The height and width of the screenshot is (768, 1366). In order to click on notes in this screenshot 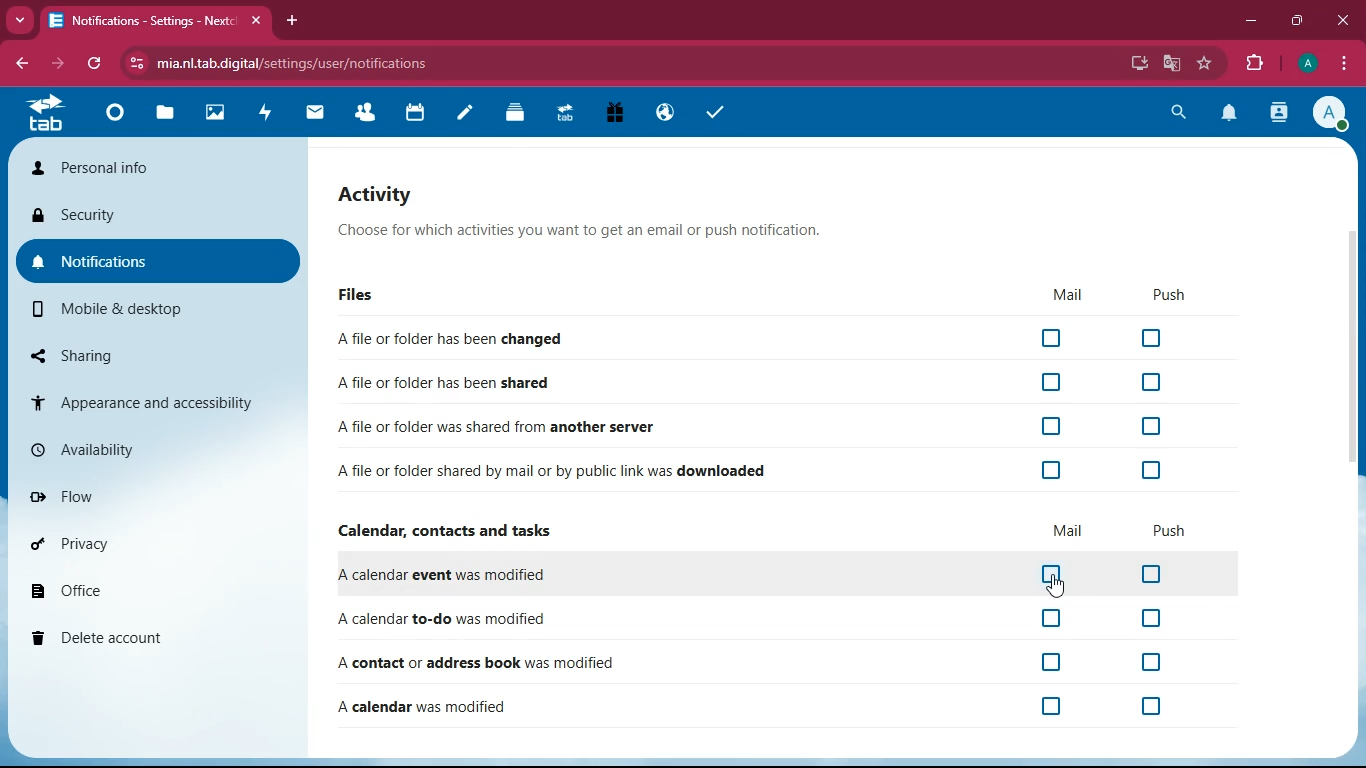, I will do `click(468, 116)`.